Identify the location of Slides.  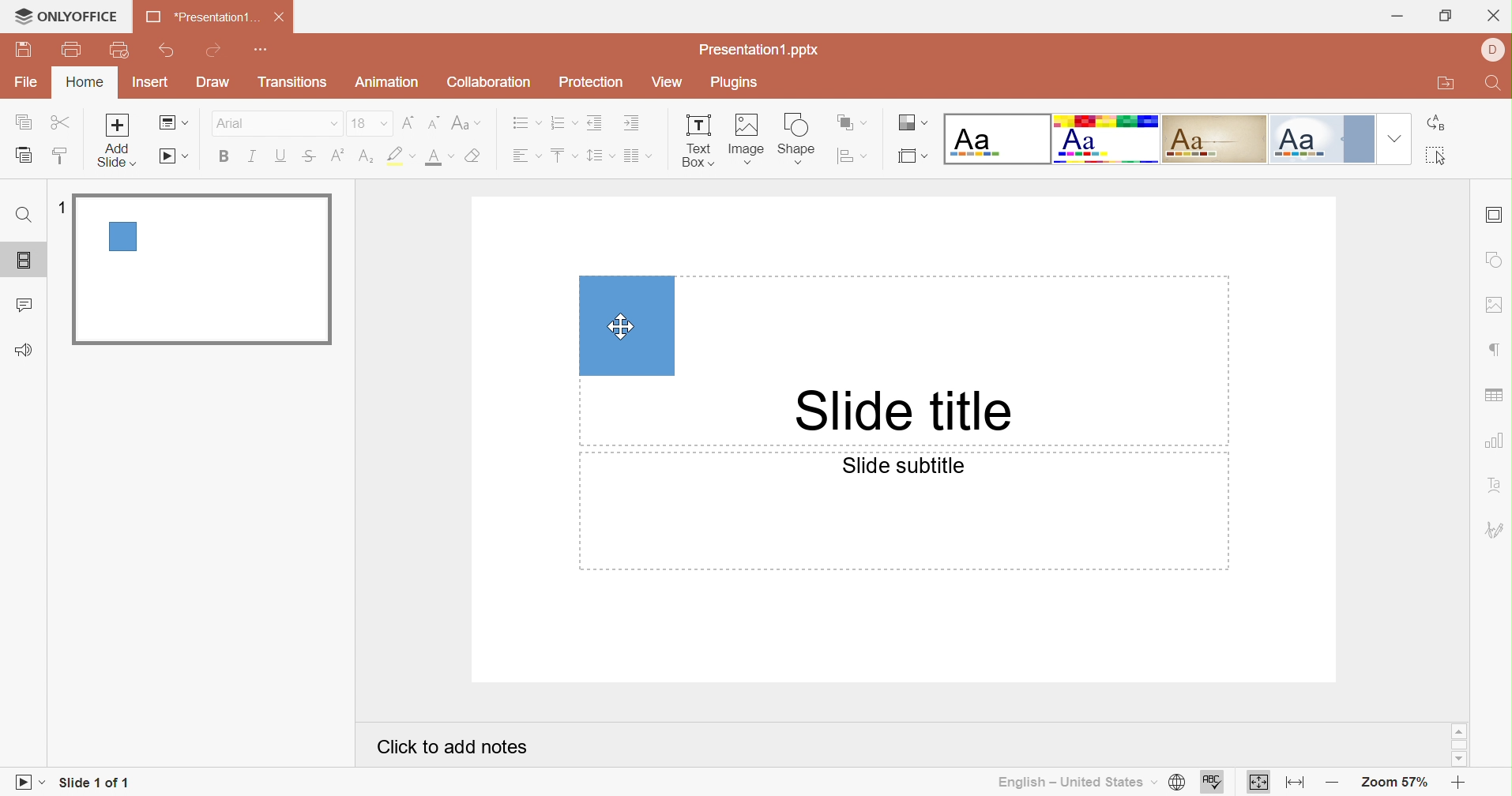
(27, 261).